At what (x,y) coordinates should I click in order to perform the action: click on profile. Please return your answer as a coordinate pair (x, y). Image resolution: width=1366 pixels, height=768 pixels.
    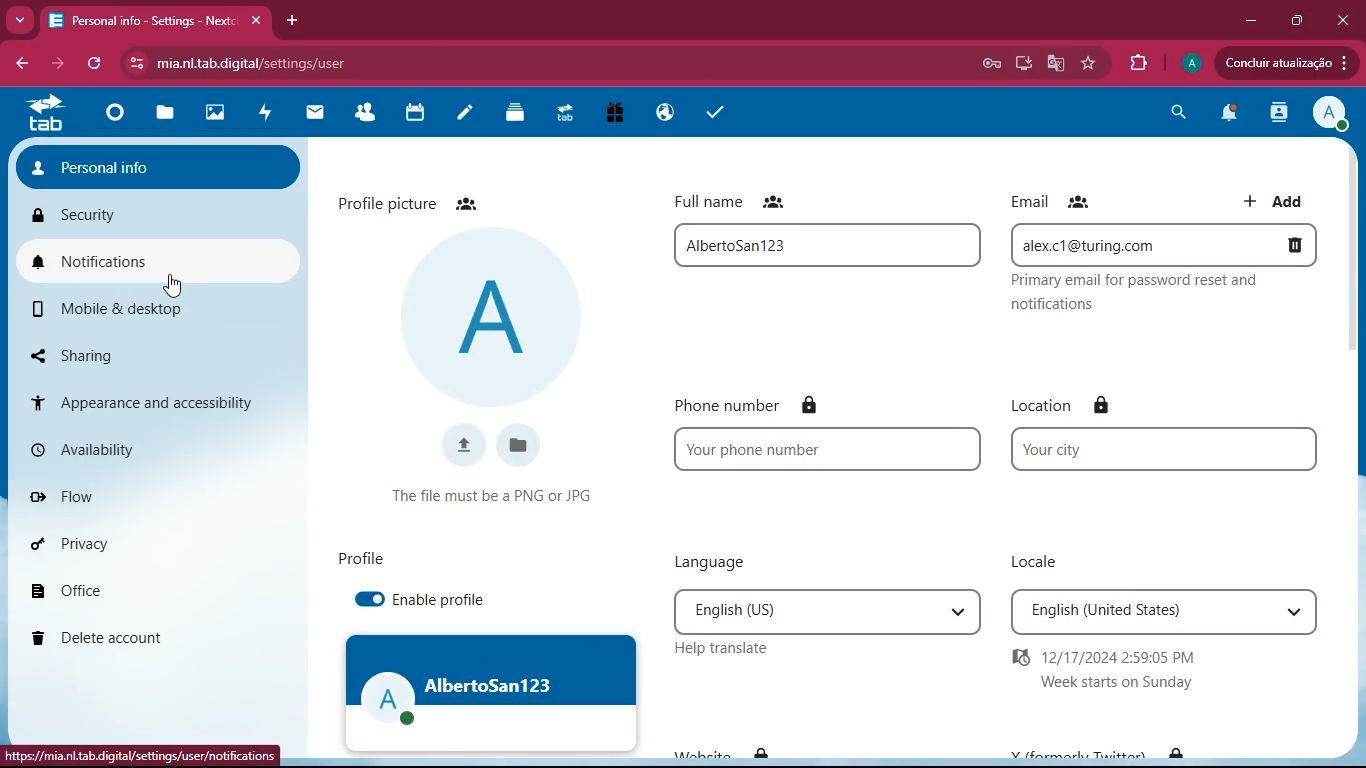
    Looking at the image, I should click on (359, 558).